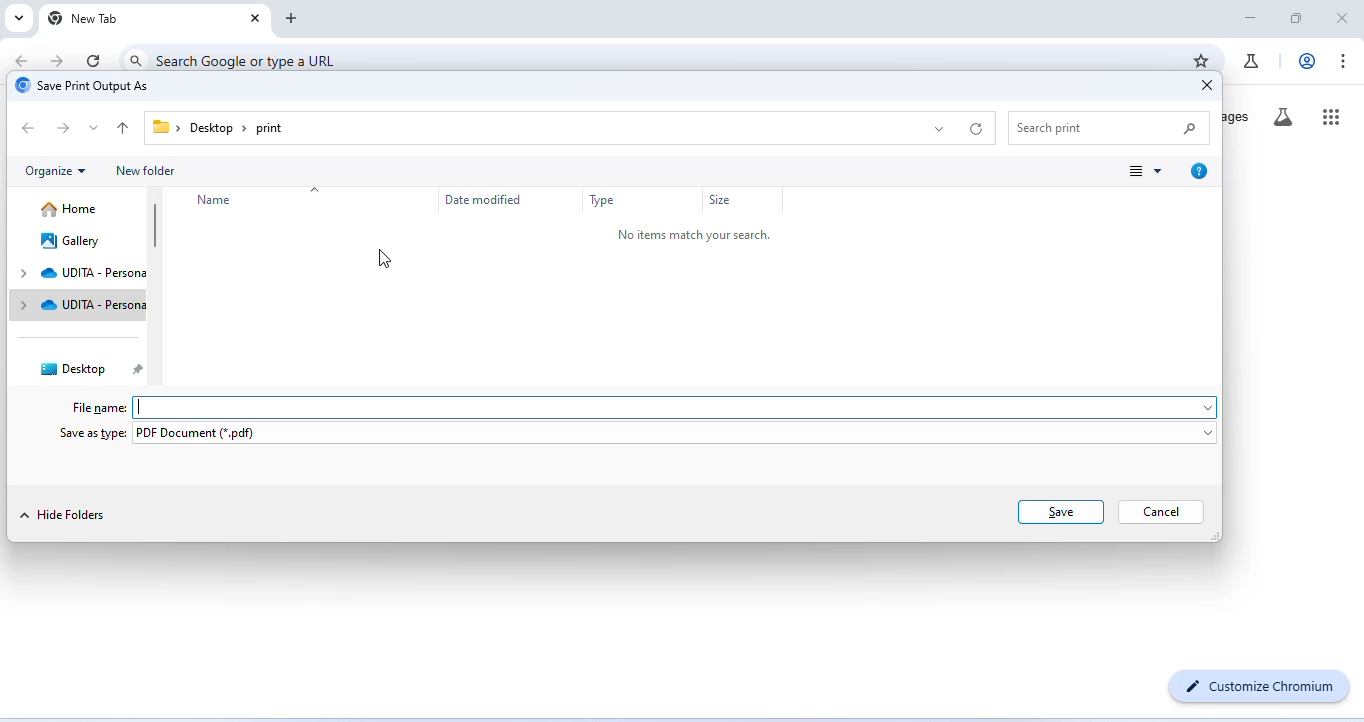 The height and width of the screenshot is (722, 1364). Describe the element at coordinates (723, 200) in the screenshot. I see `Size` at that location.